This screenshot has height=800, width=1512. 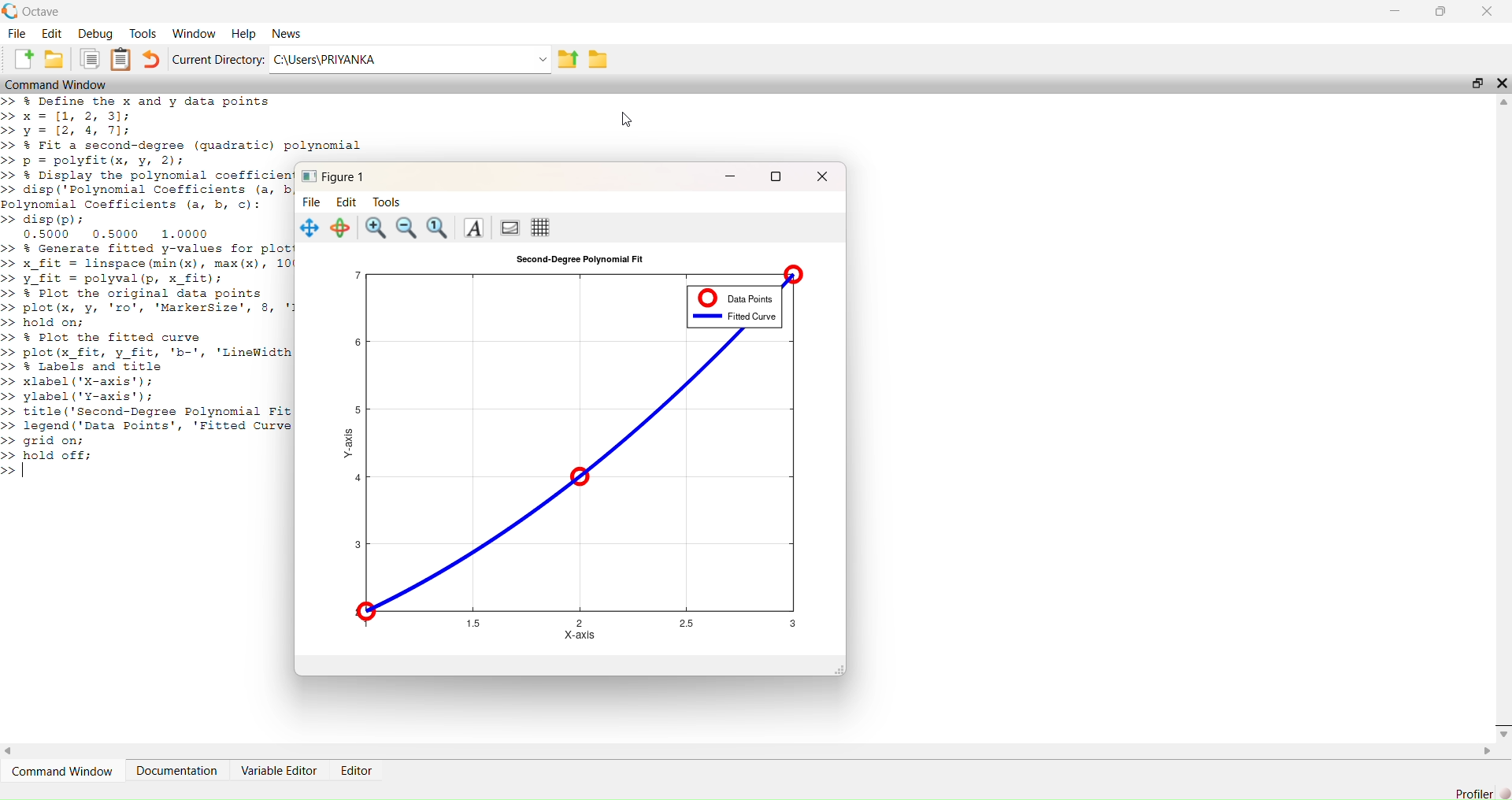 What do you see at coordinates (823, 176) in the screenshot?
I see `Close` at bounding box center [823, 176].